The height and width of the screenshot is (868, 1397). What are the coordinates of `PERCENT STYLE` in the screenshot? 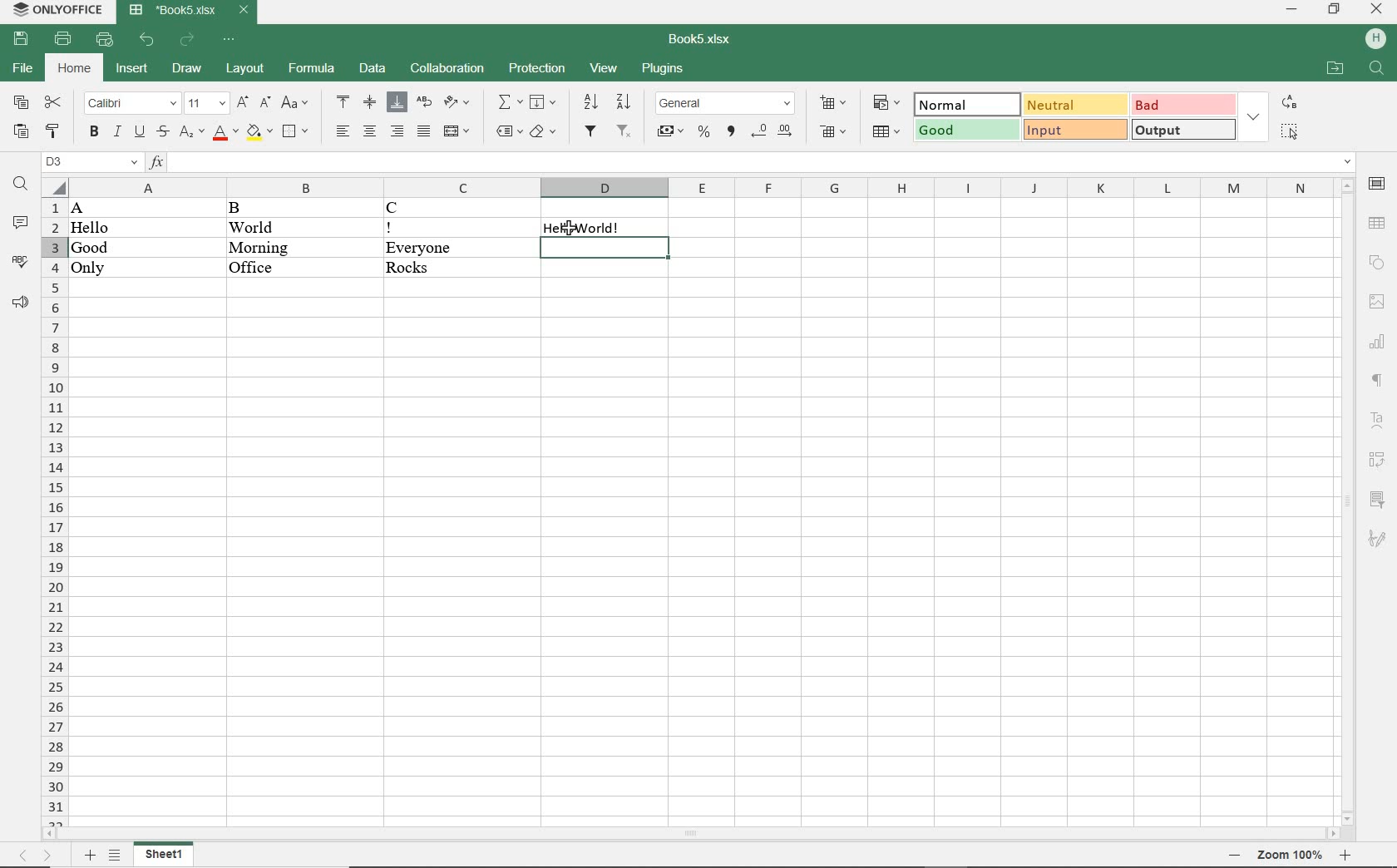 It's located at (705, 133).